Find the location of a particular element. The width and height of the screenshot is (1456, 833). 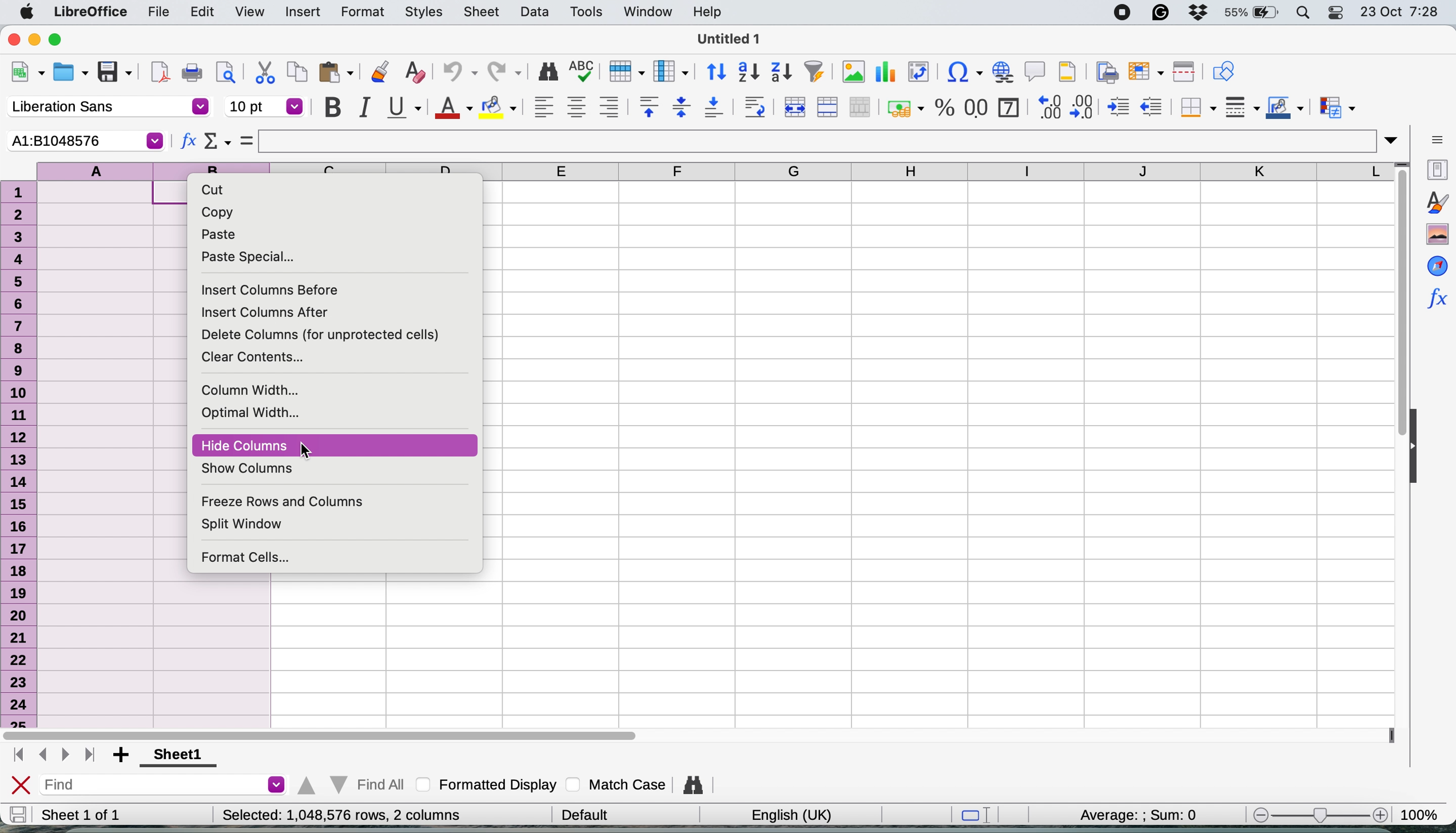

conditional is located at coordinates (1333, 105).